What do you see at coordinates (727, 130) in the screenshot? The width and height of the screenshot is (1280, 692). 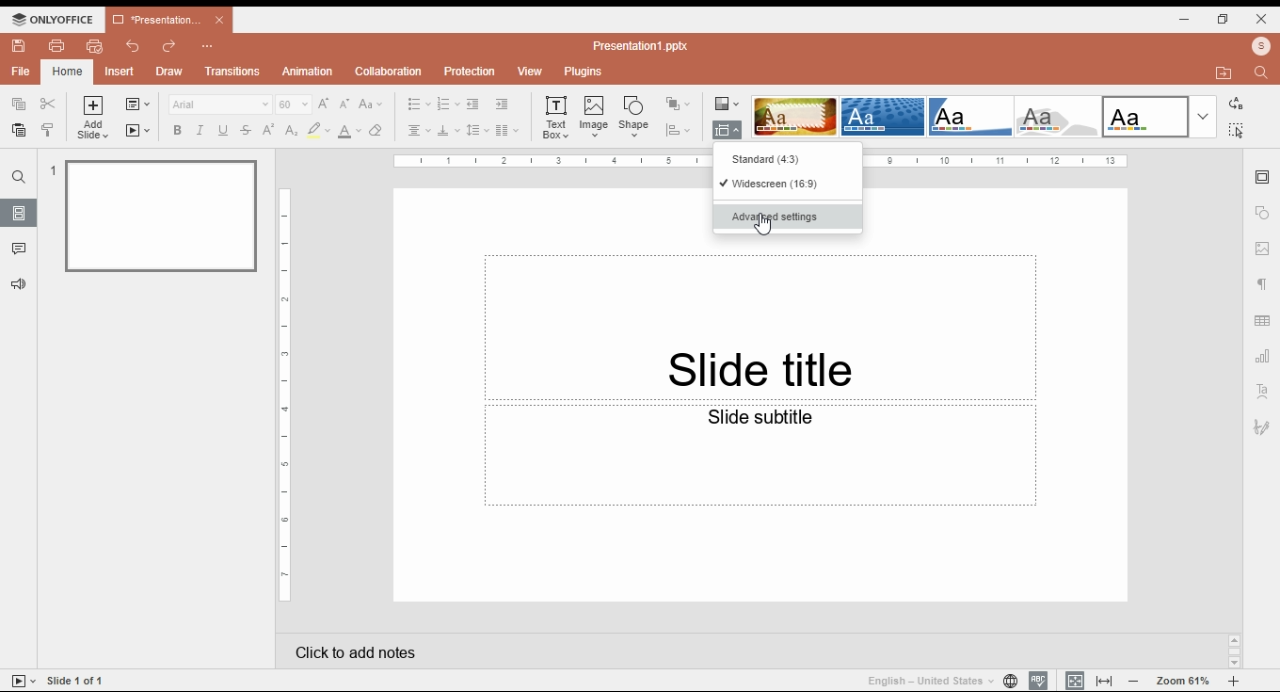 I see `change slide size` at bounding box center [727, 130].